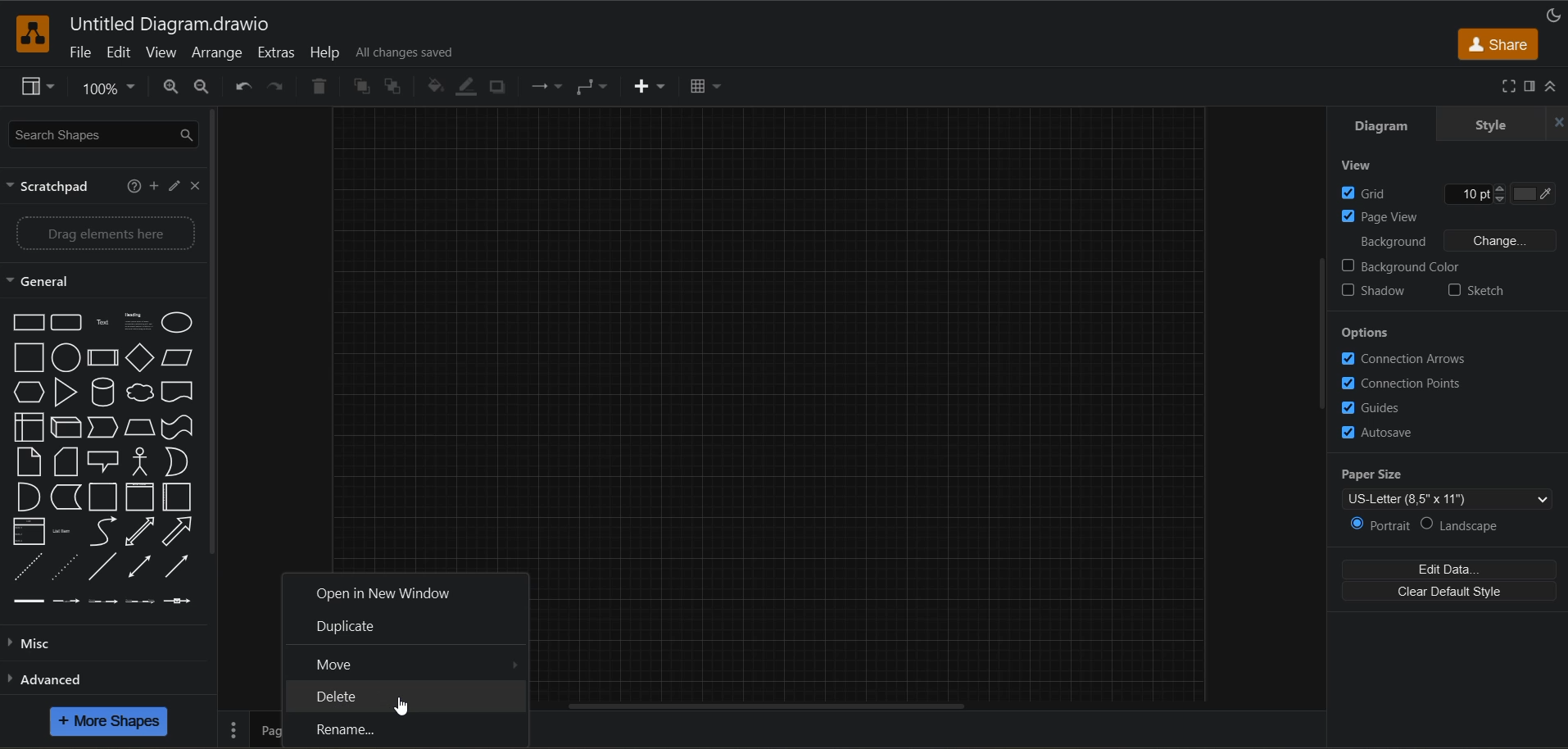 This screenshot has width=1568, height=749. What do you see at coordinates (267, 730) in the screenshot?
I see `page 1` at bounding box center [267, 730].